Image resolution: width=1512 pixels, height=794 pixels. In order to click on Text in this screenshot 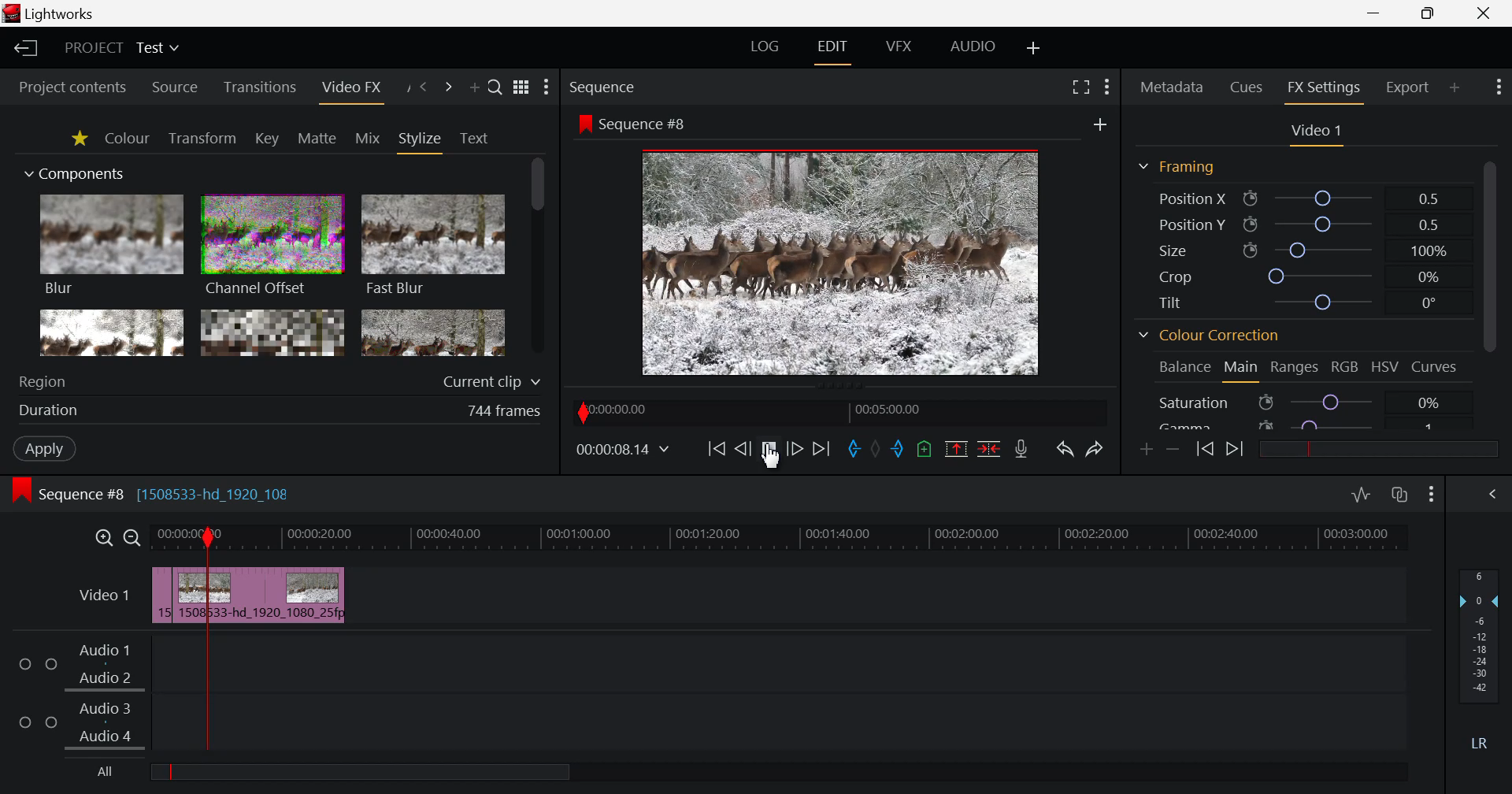, I will do `click(474, 139)`.